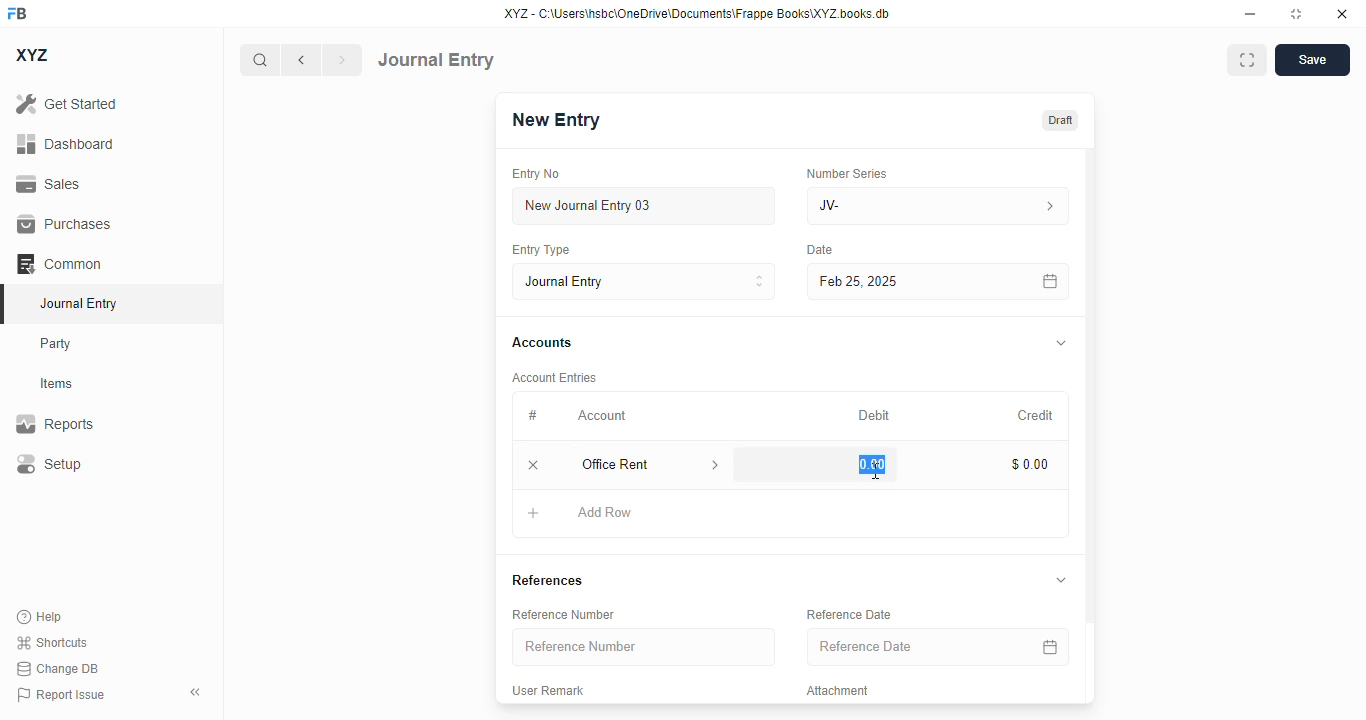  What do you see at coordinates (821, 250) in the screenshot?
I see `date` at bounding box center [821, 250].